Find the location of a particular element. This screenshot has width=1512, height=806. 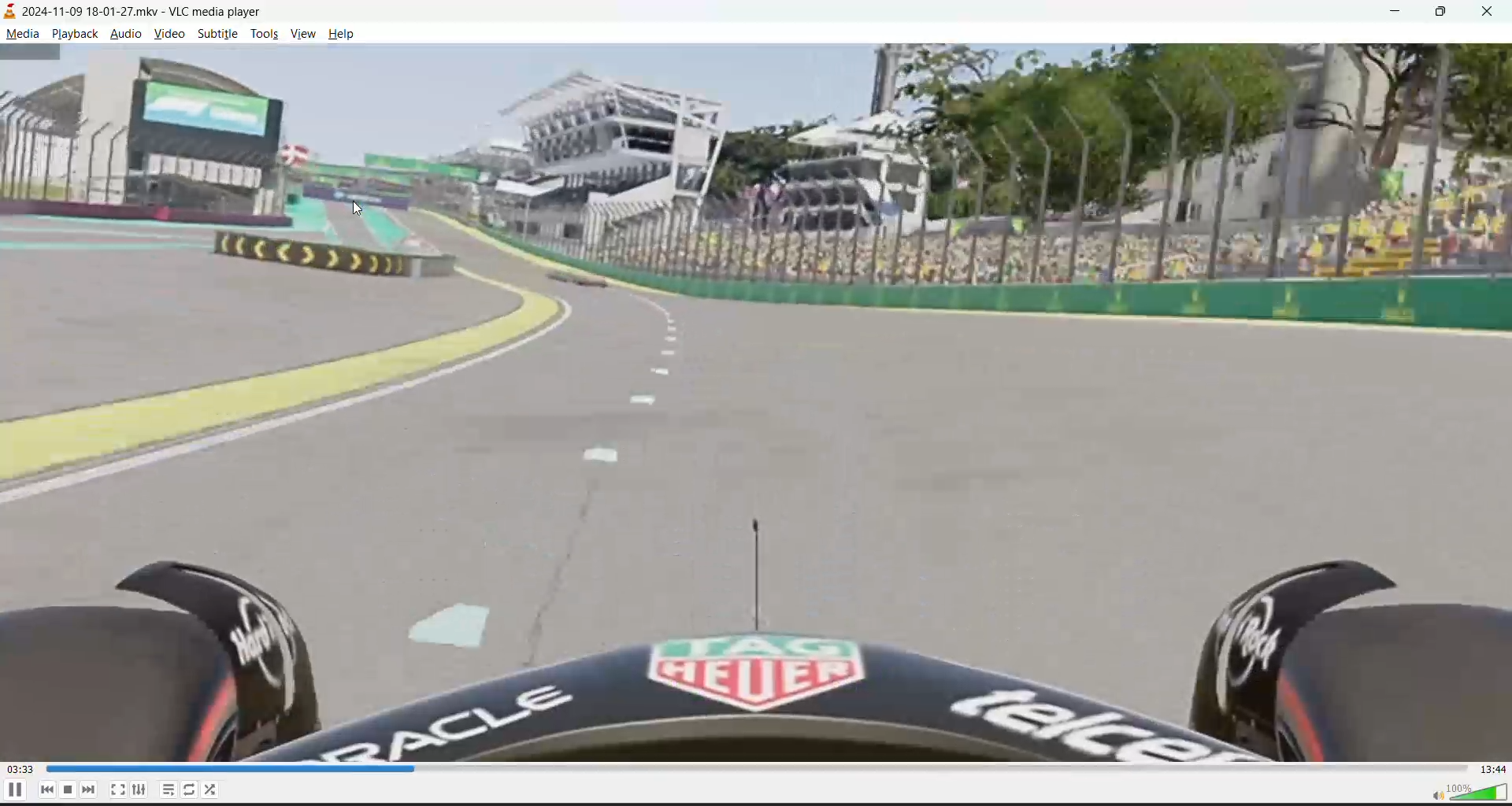

toggle loop is located at coordinates (193, 792).